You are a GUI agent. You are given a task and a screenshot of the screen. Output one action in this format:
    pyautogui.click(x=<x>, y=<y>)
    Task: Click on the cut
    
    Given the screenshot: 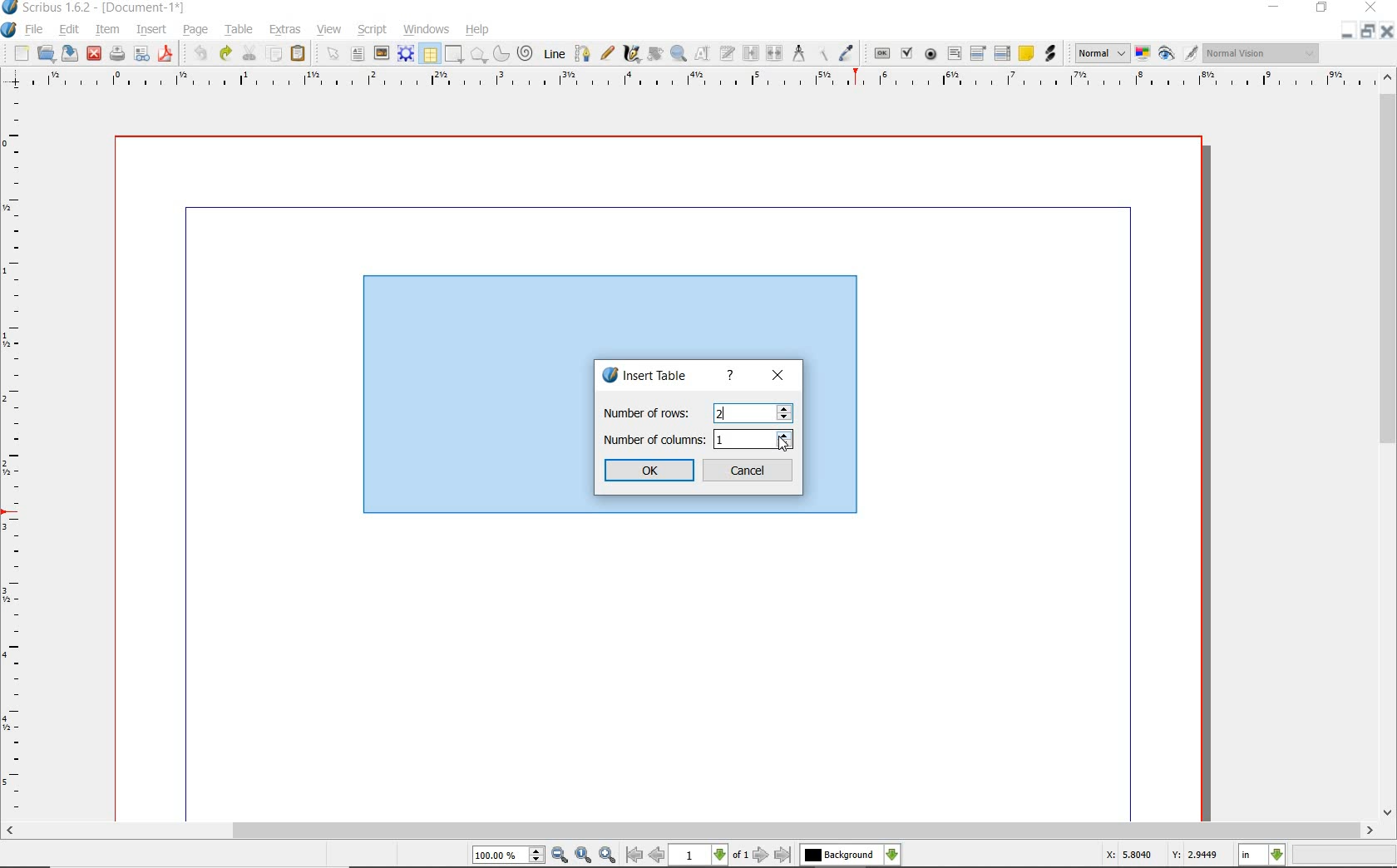 What is the action you would take?
    pyautogui.click(x=251, y=52)
    